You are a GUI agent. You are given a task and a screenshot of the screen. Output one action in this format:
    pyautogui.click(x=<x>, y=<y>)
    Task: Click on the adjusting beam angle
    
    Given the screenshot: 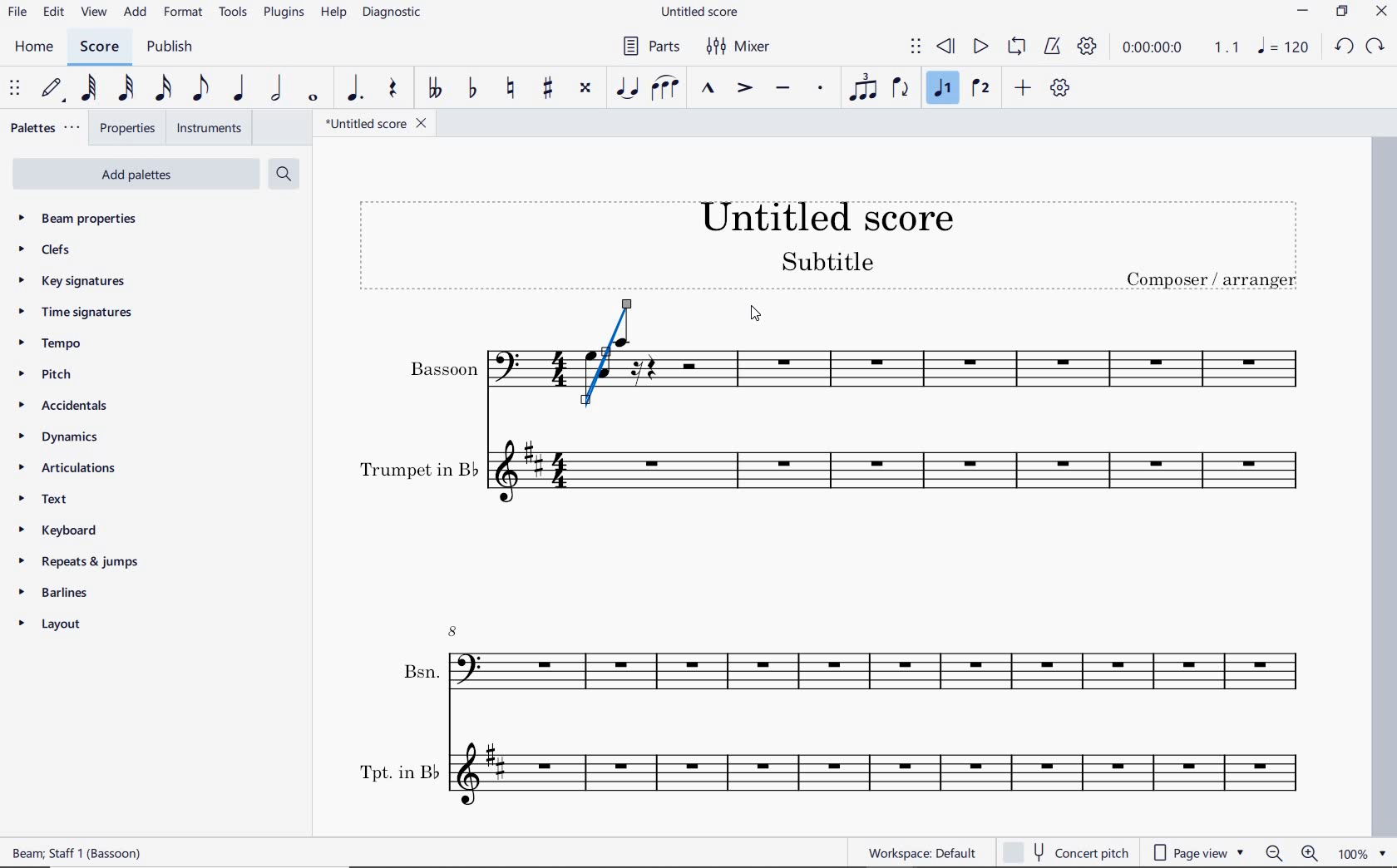 What is the action you would take?
    pyautogui.click(x=612, y=358)
    